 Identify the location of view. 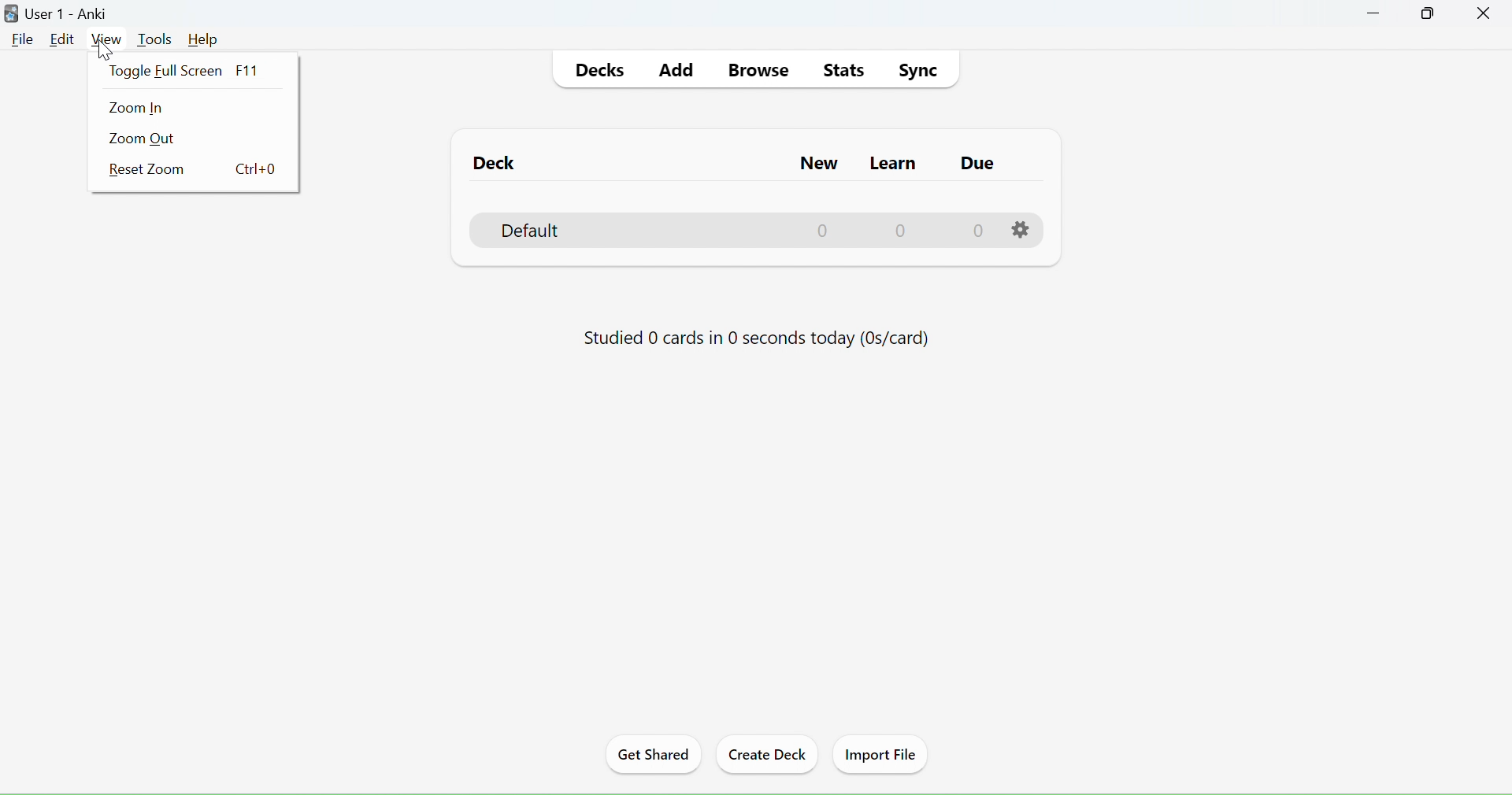
(105, 39).